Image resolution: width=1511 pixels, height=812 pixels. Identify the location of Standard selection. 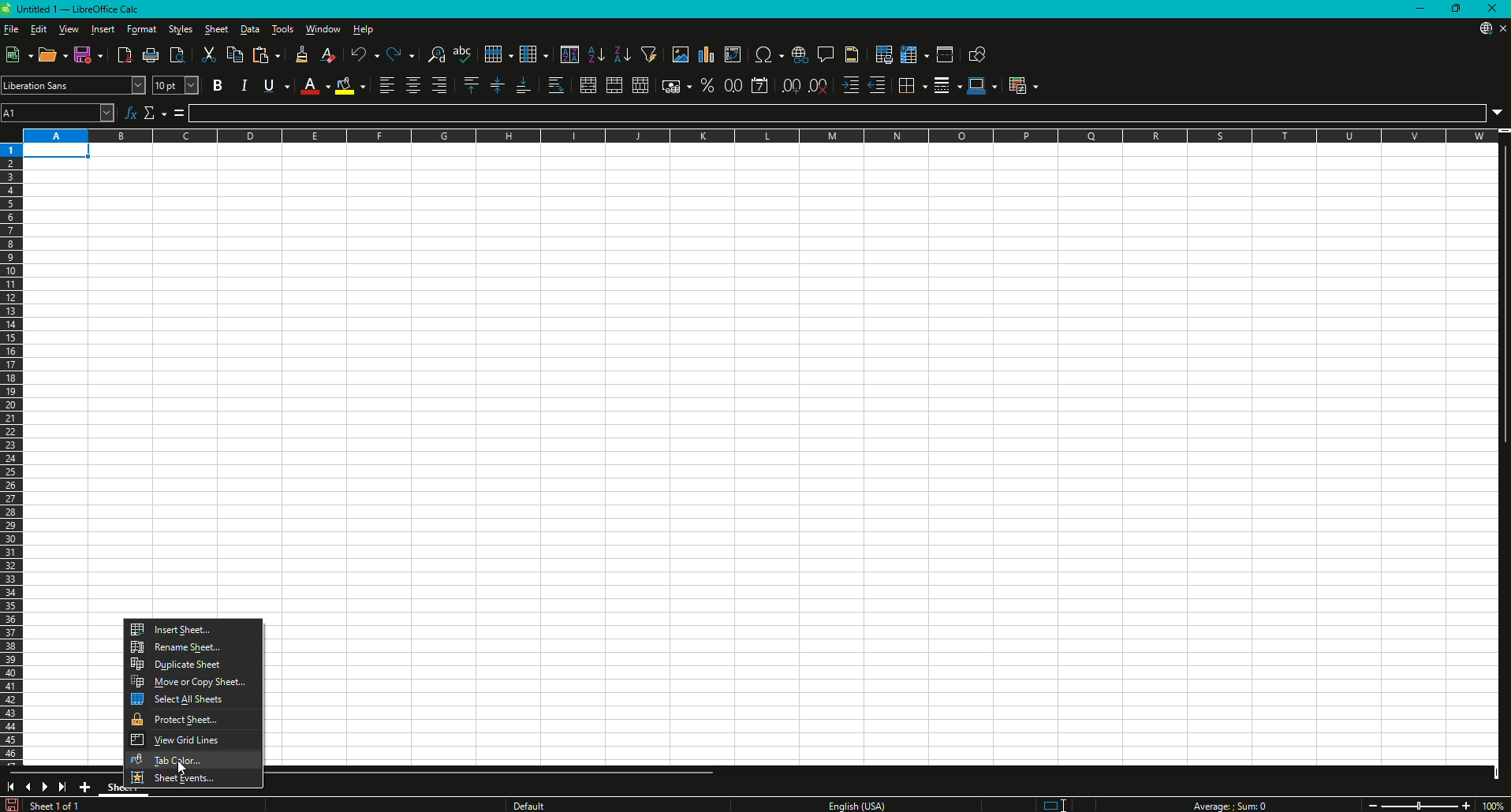
(1054, 805).